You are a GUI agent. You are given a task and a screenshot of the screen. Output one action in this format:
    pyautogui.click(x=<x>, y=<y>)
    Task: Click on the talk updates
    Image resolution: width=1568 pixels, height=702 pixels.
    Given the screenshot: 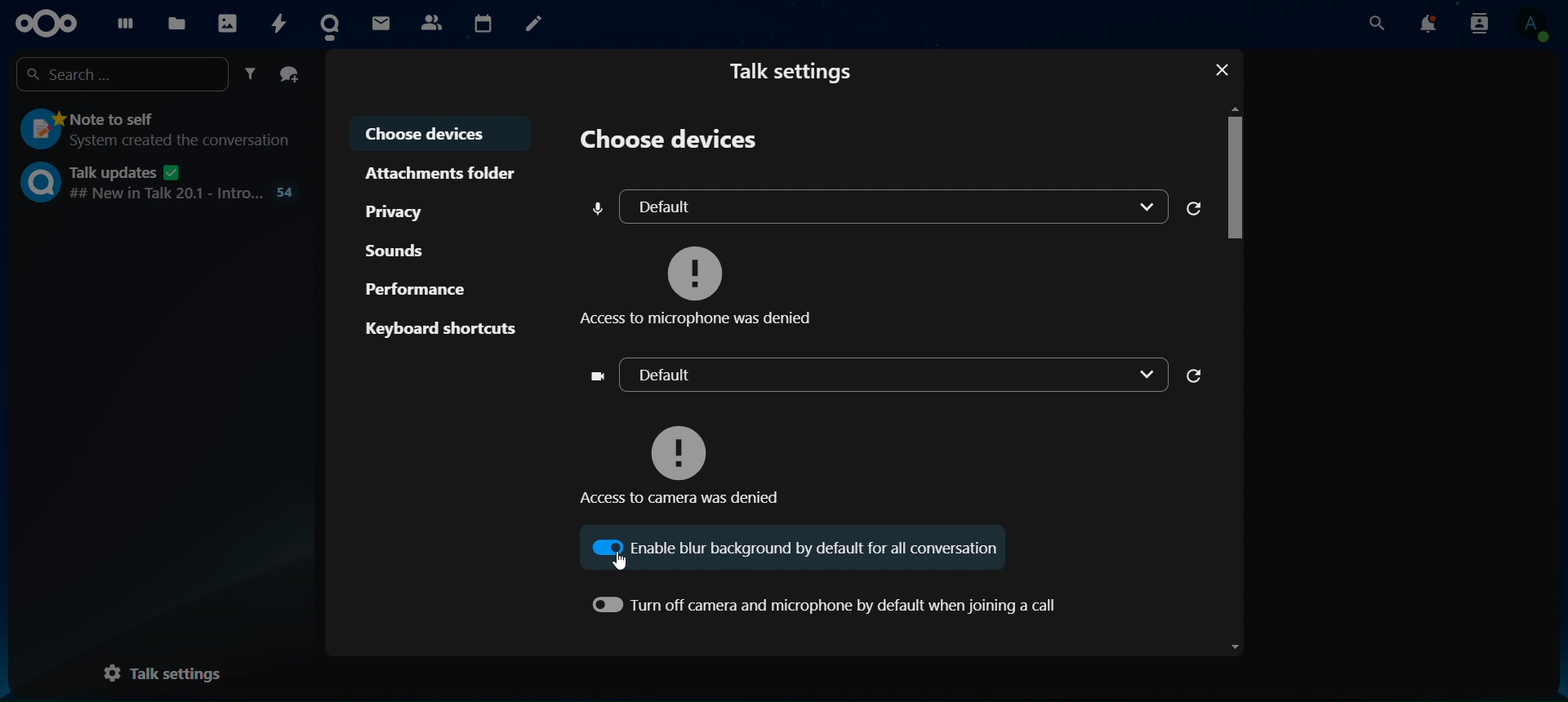 What is the action you would take?
    pyautogui.click(x=156, y=184)
    